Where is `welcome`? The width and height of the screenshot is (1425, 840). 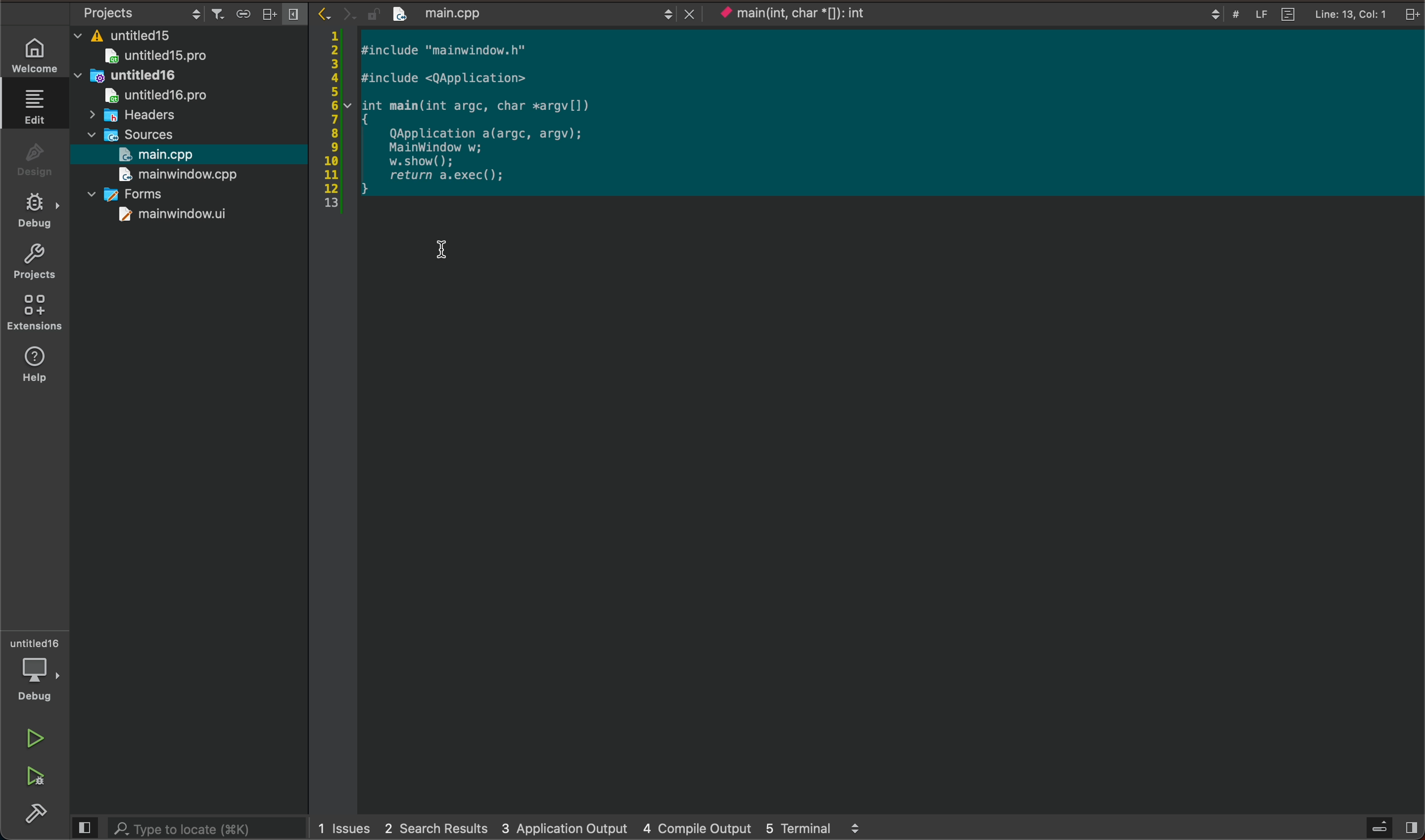
welcome is located at coordinates (38, 53).